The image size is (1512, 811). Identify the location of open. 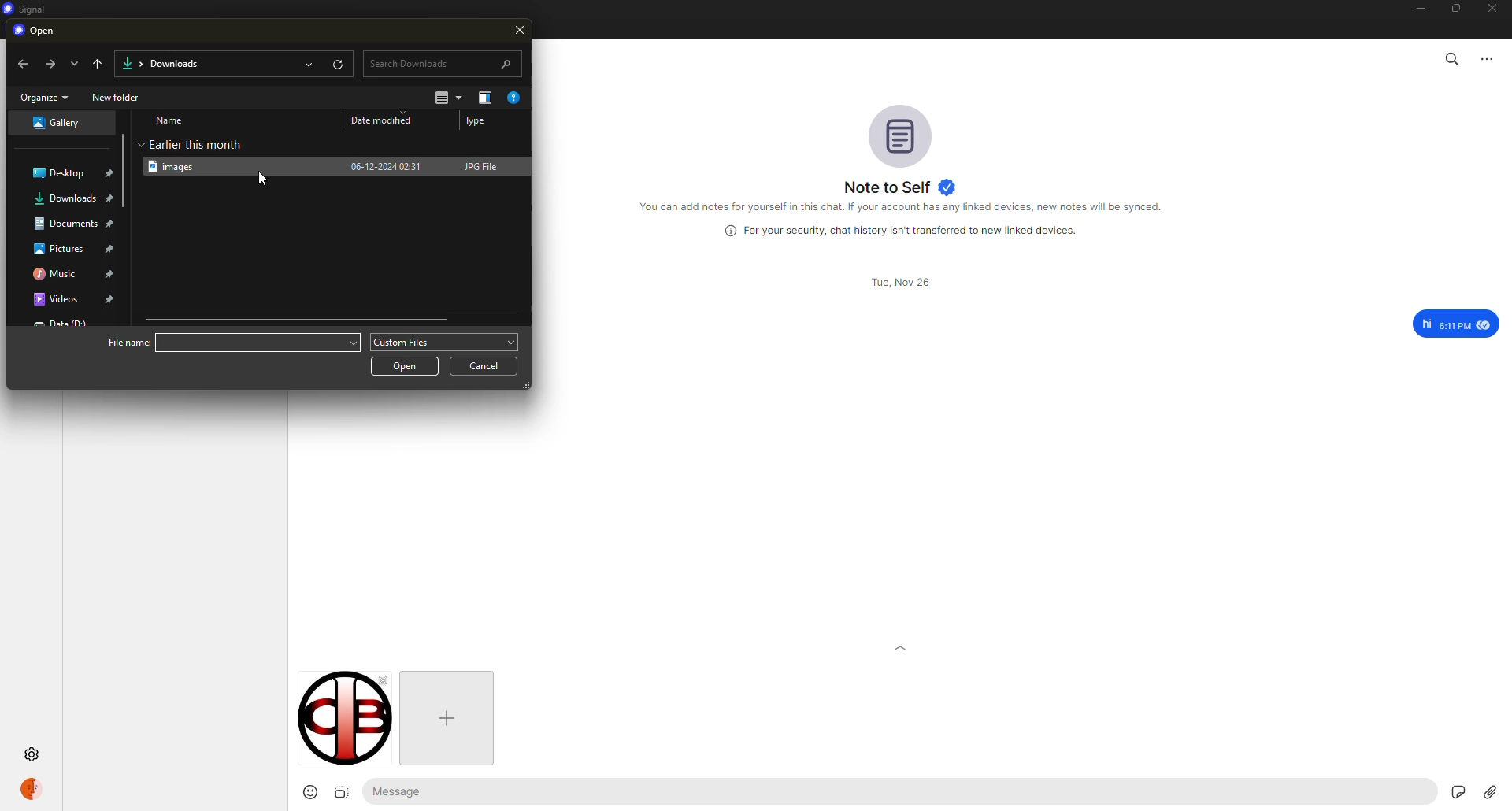
(310, 63).